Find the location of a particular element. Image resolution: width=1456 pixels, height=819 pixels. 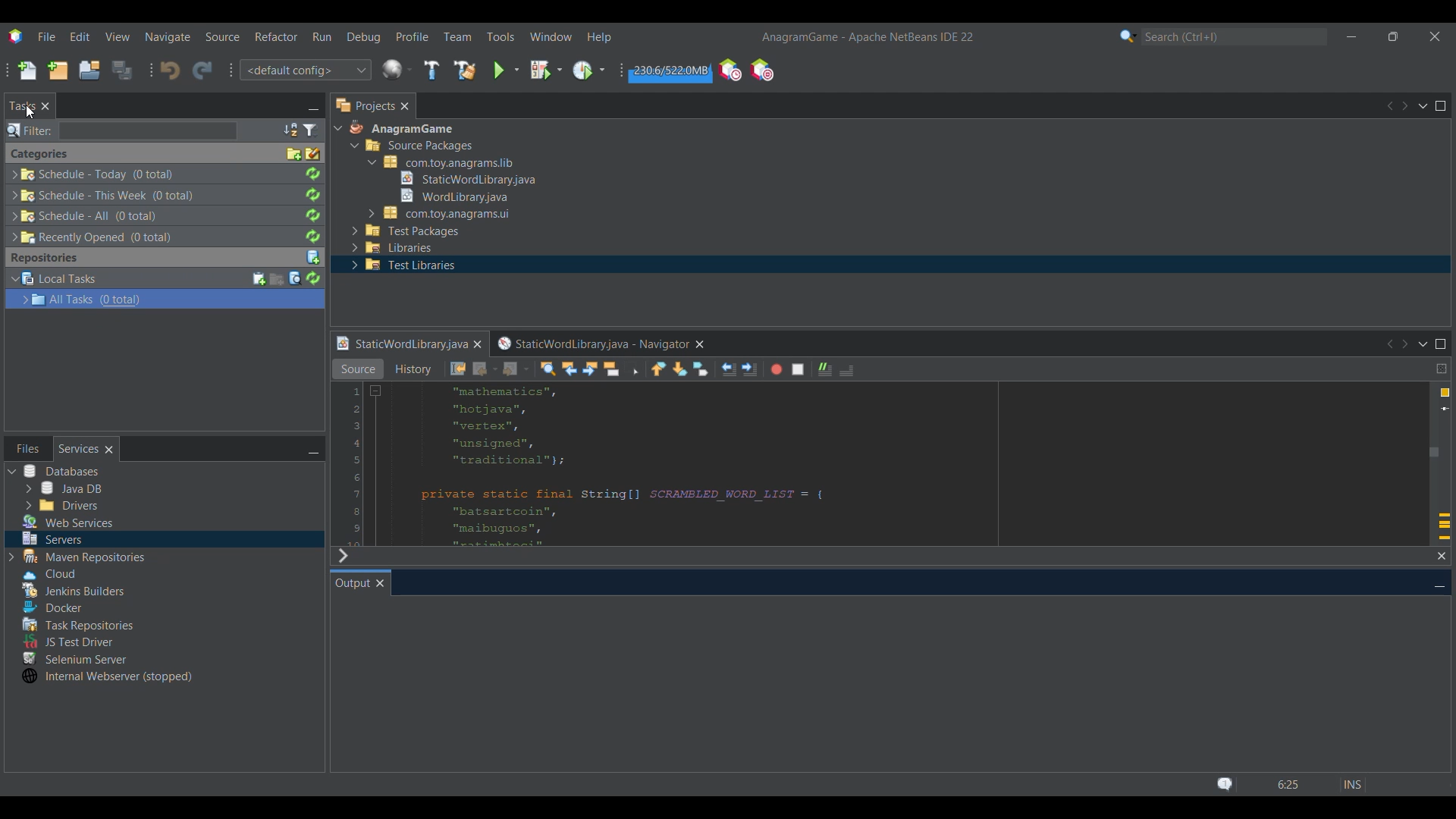

Shift line left is located at coordinates (729, 369).